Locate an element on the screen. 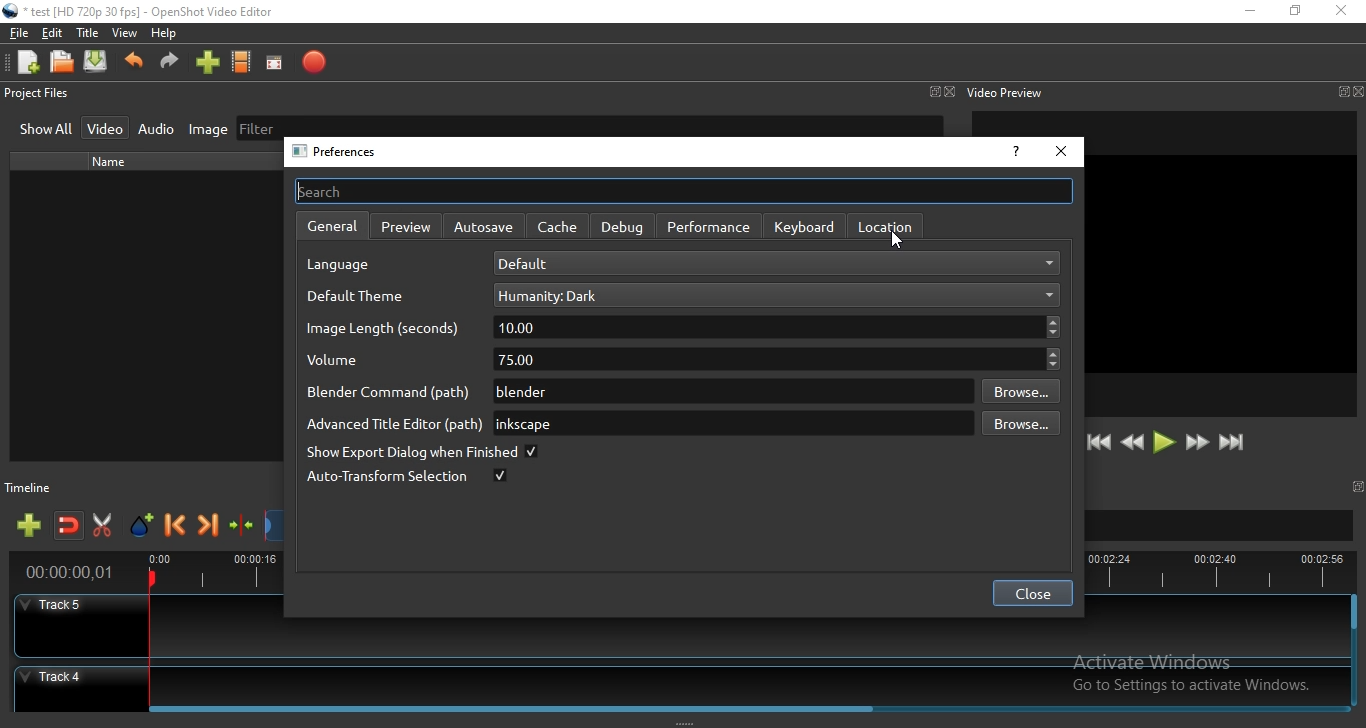 This screenshot has width=1366, height=728. Disable snapping is located at coordinates (69, 527).